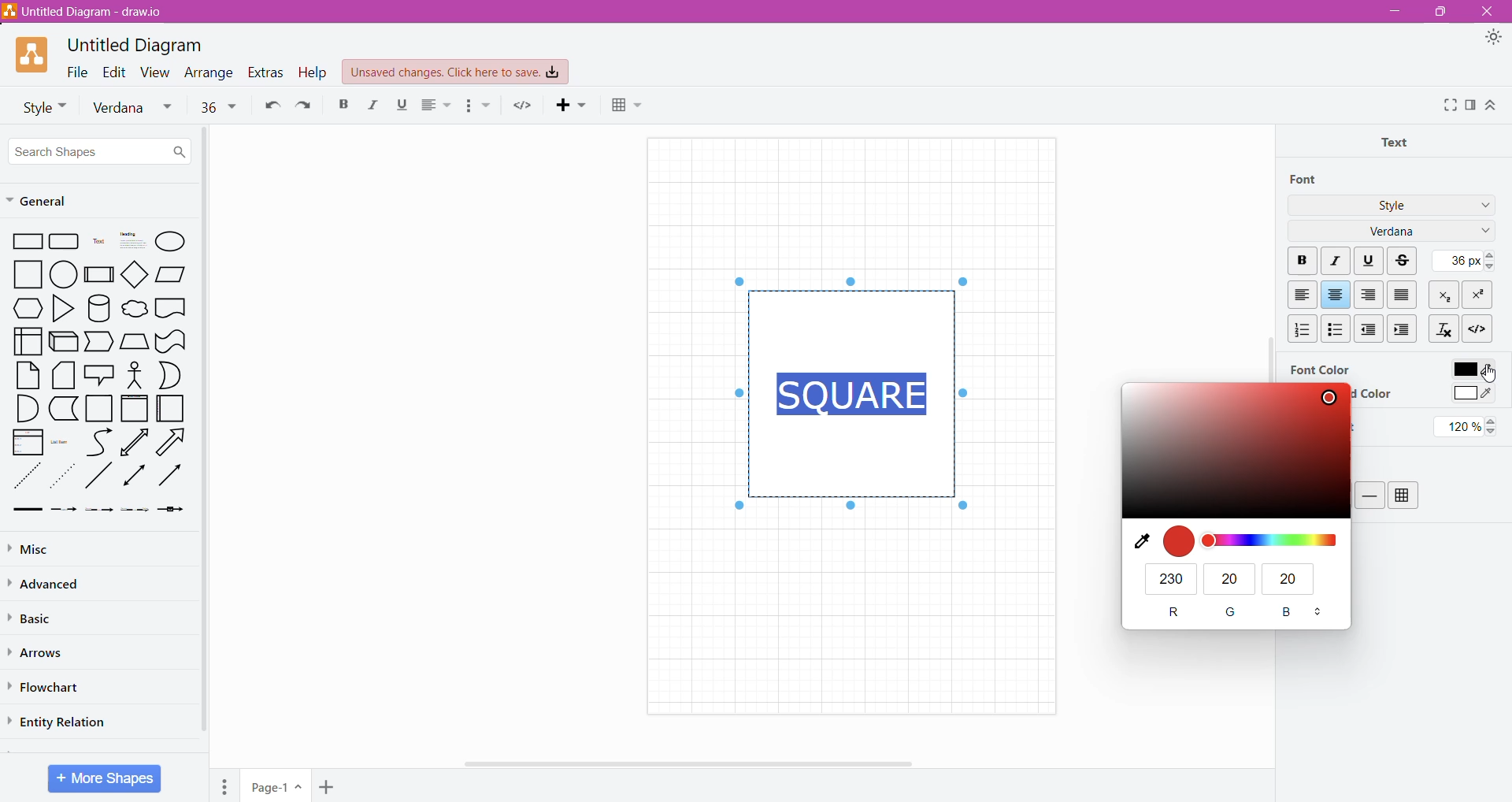  What do you see at coordinates (1271, 540) in the screenshot?
I see `variation scale` at bounding box center [1271, 540].